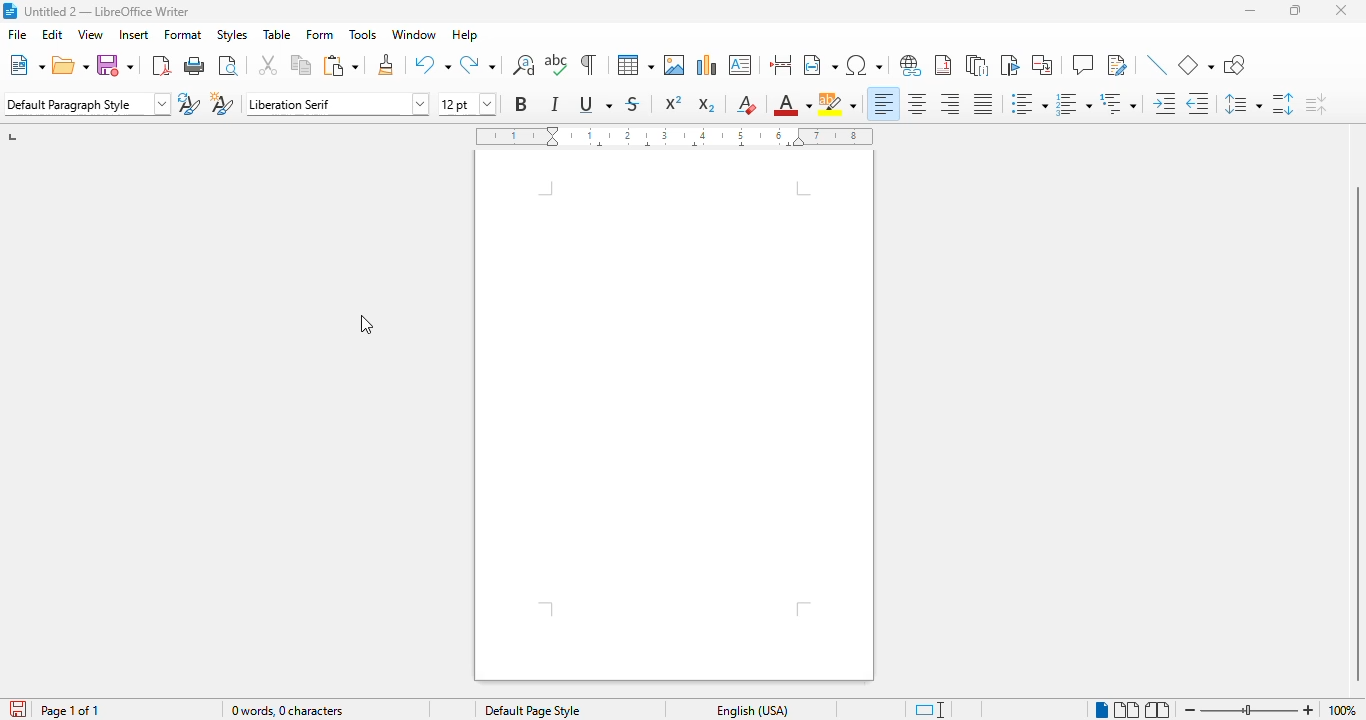 This screenshot has width=1366, height=720. Describe the element at coordinates (978, 66) in the screenshot. I see `insert endnote` at that location.